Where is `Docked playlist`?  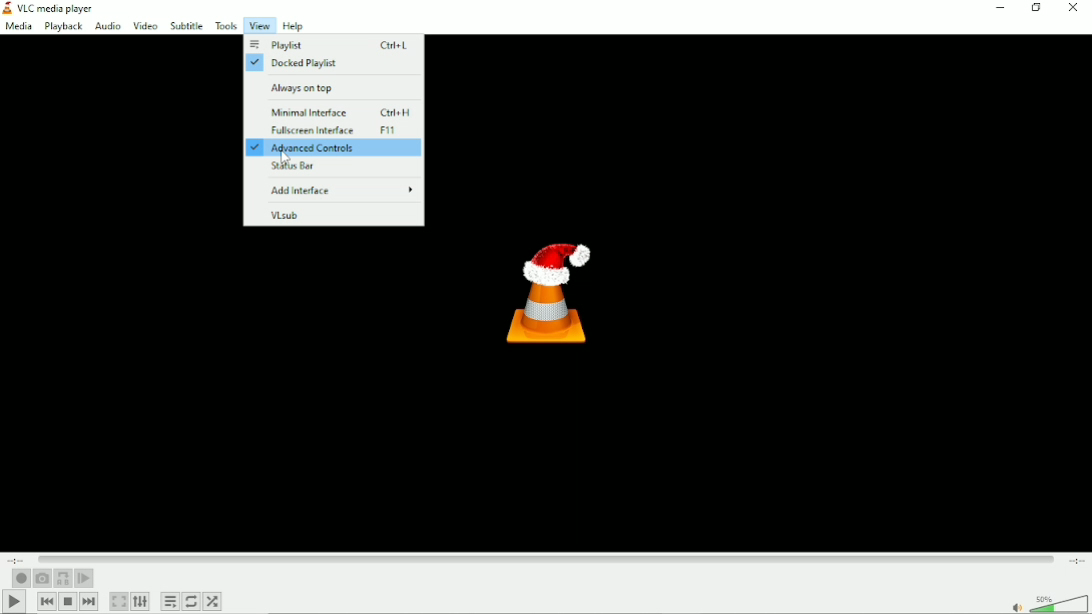
Docked playlist is located at coordinates (298, 64).